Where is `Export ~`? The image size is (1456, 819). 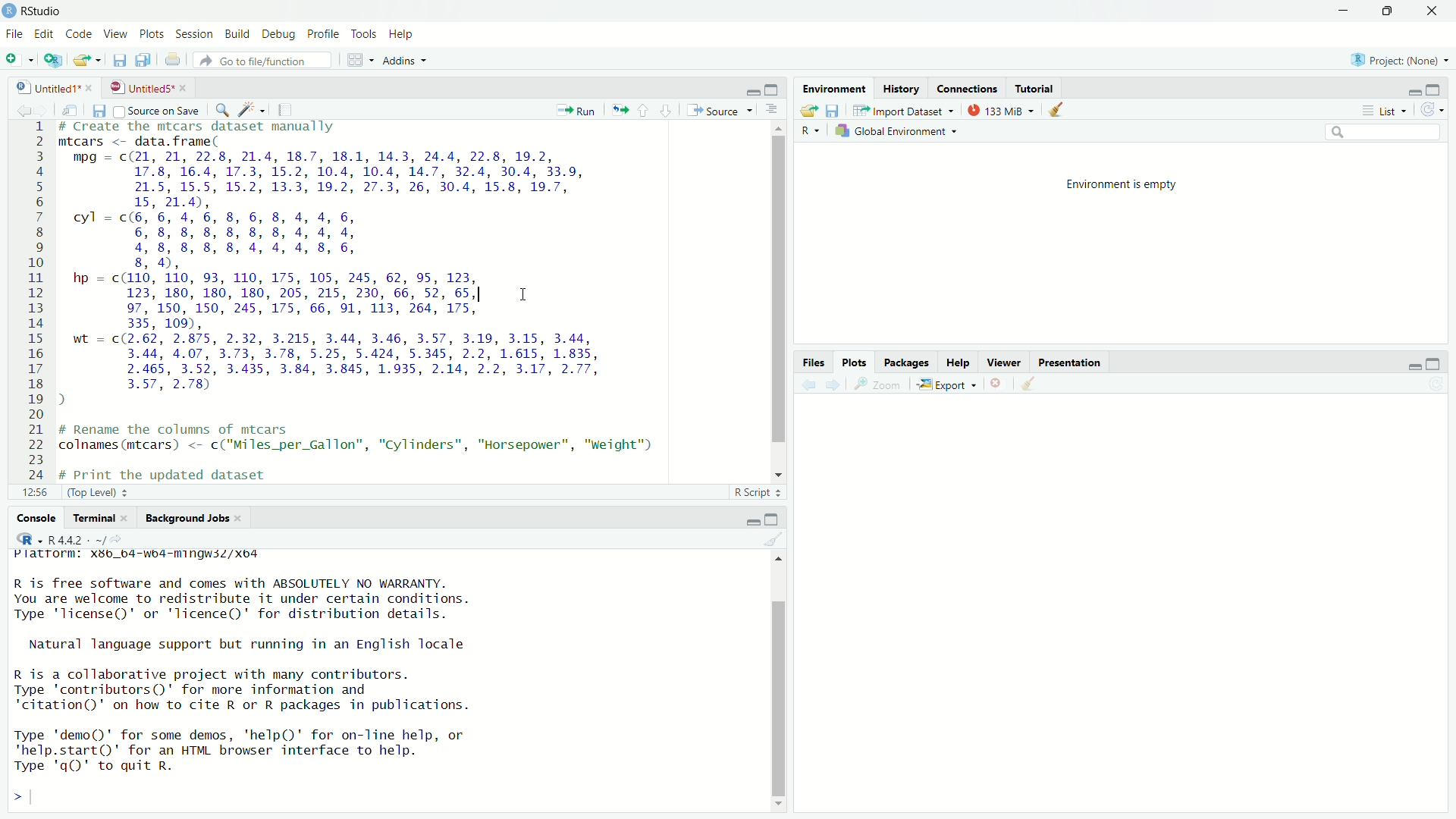 Export ~ is located at coordinates (946, 385).